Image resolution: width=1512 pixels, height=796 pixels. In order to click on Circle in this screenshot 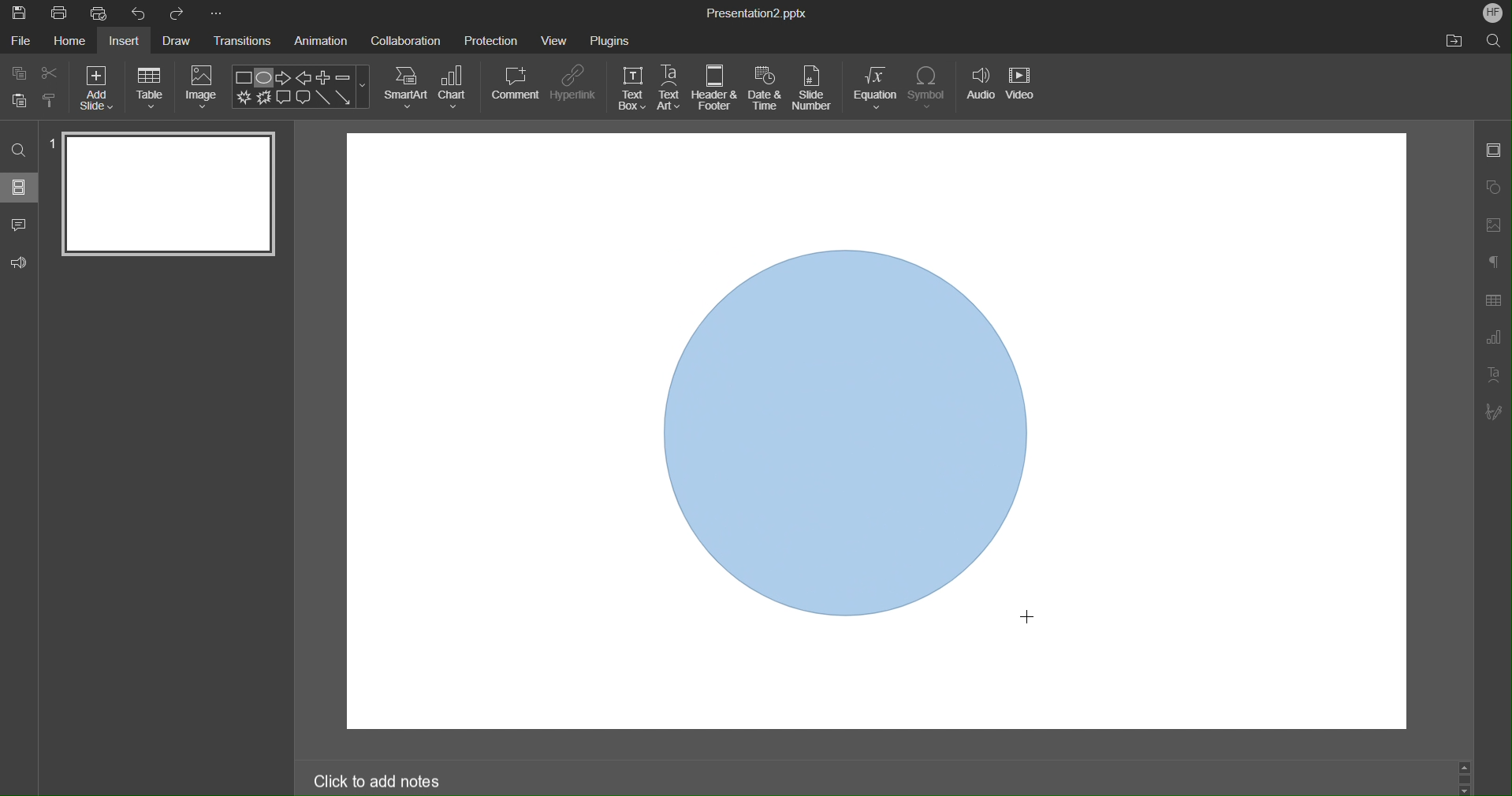, I will do `click(851, 433)`.